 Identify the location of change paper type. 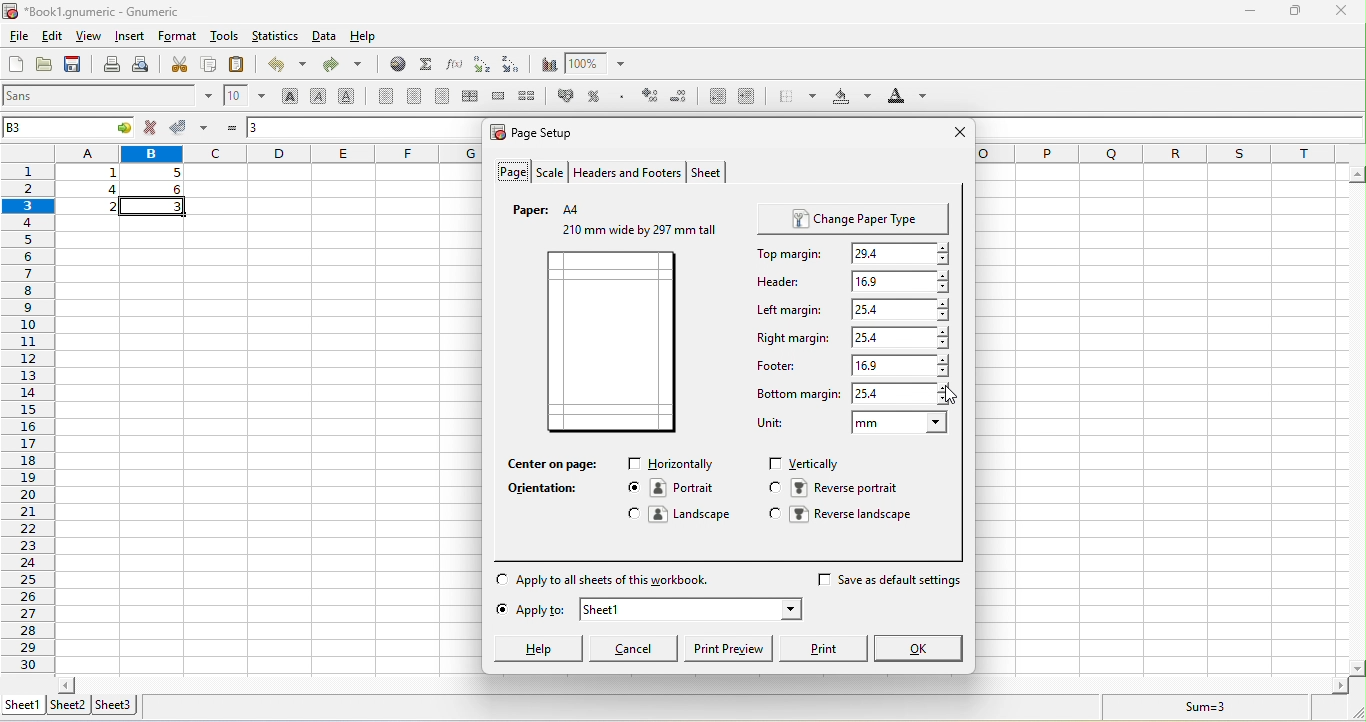
(858, 217).